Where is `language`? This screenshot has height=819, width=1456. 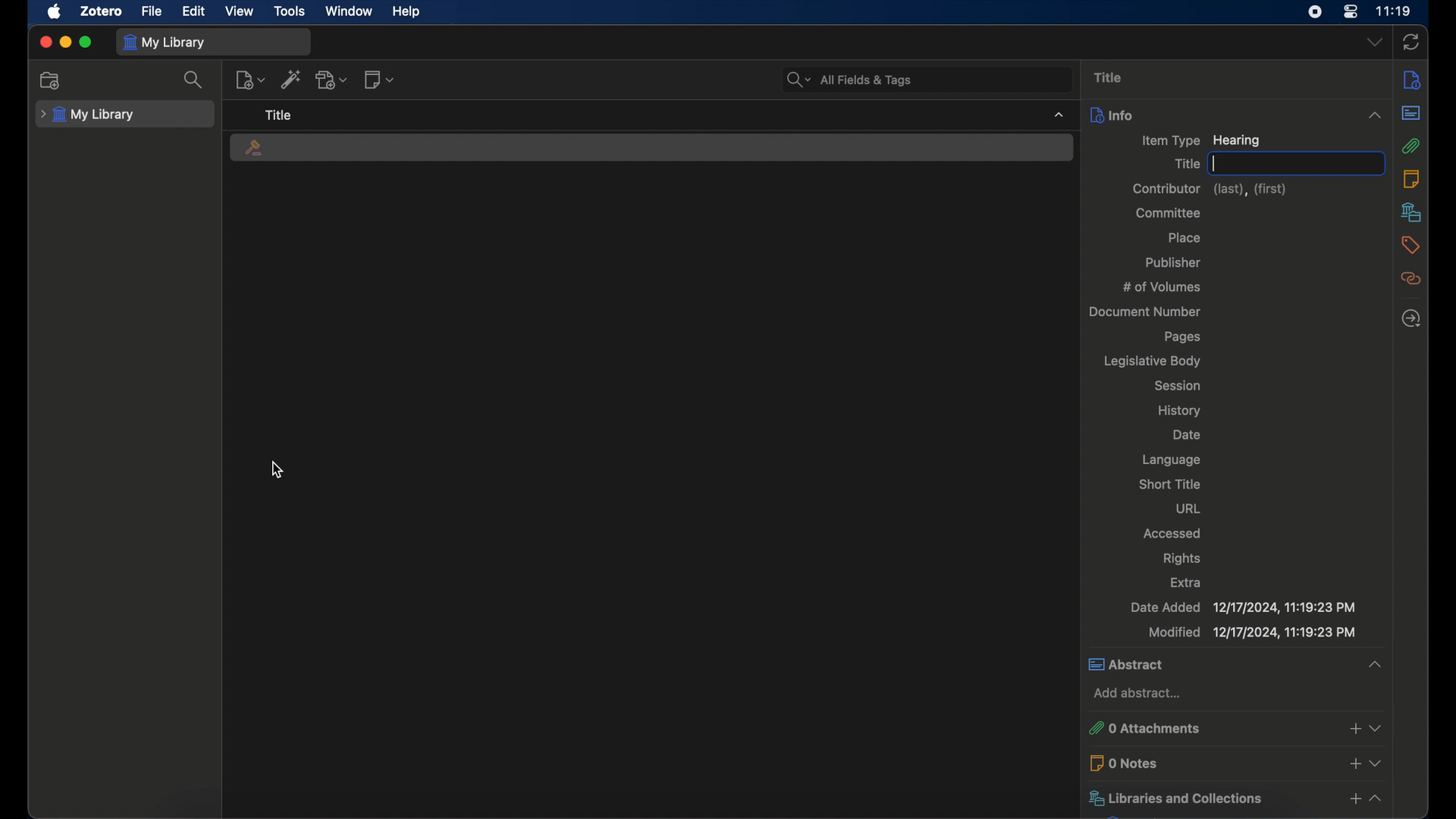
language is located at coordinates (1172, 460).